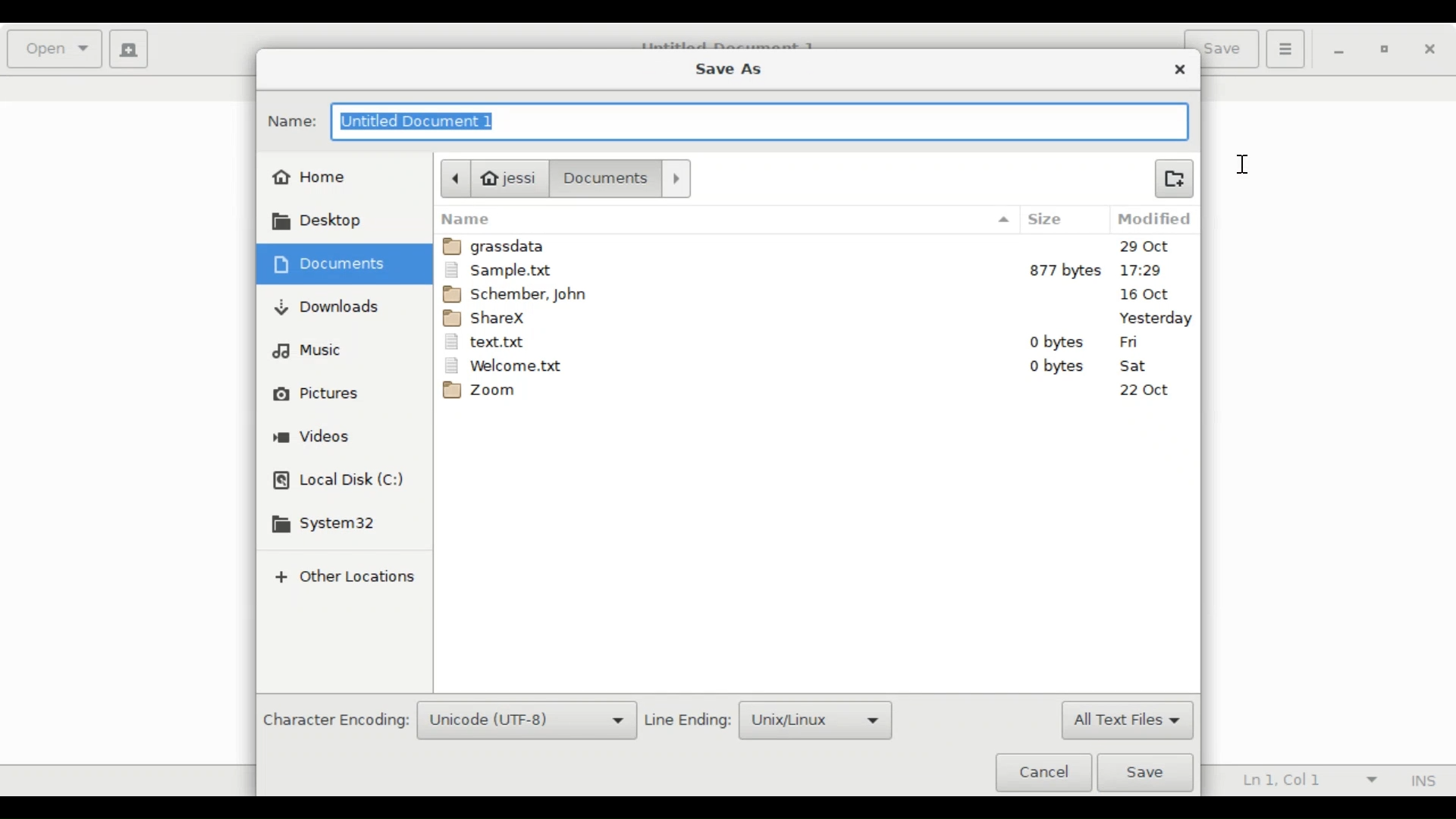 This screenshot has width=1456, height=819. What do you see at coordinates (1126, 721) in the screenshot?
I see `All Text Files` at bounding box center [1126, 721].